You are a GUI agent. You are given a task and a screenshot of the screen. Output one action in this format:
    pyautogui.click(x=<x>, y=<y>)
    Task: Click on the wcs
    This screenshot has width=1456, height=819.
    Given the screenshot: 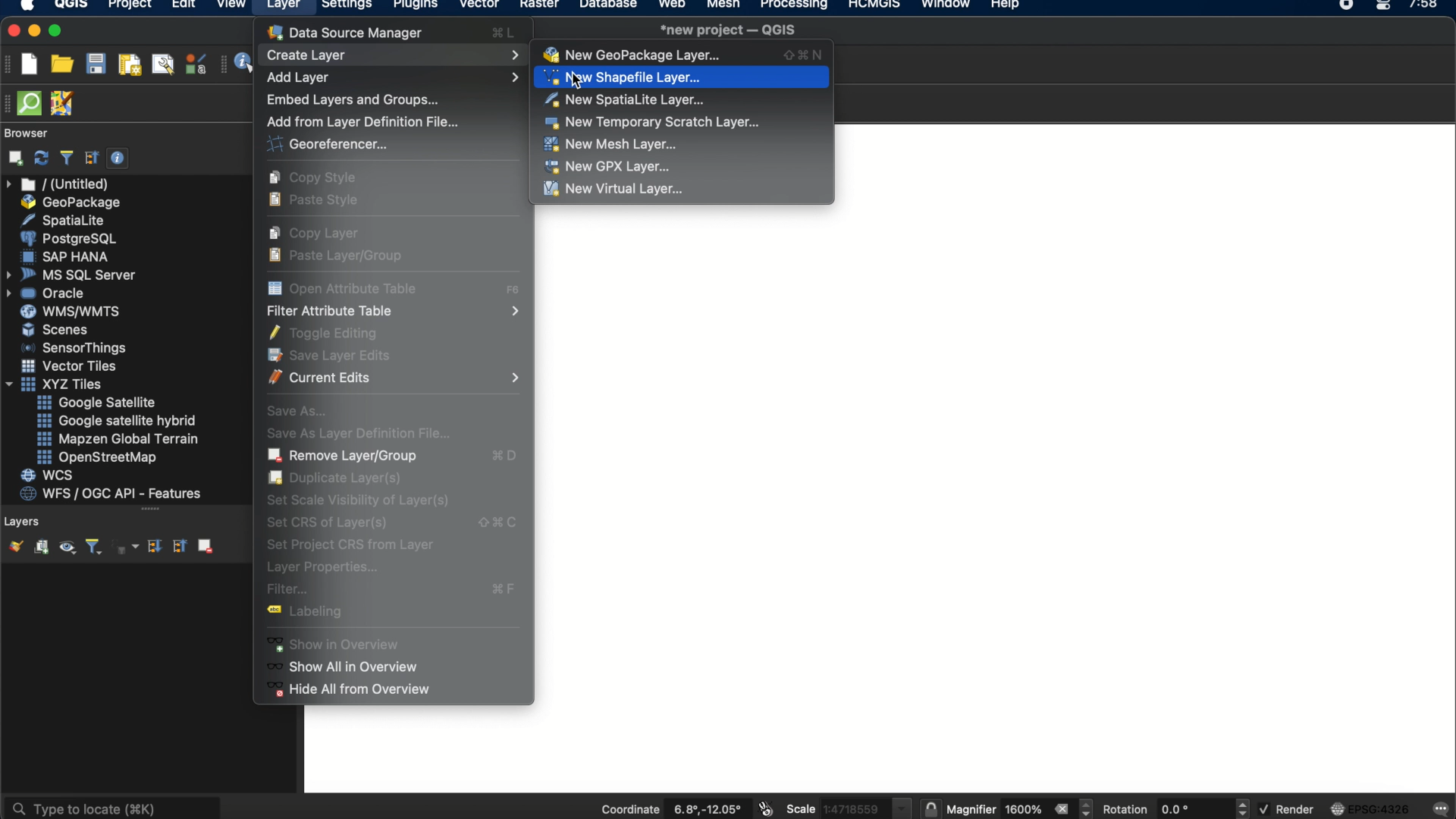 What is the action you would take?
    pyautogui.click(x=49, y=476)
    